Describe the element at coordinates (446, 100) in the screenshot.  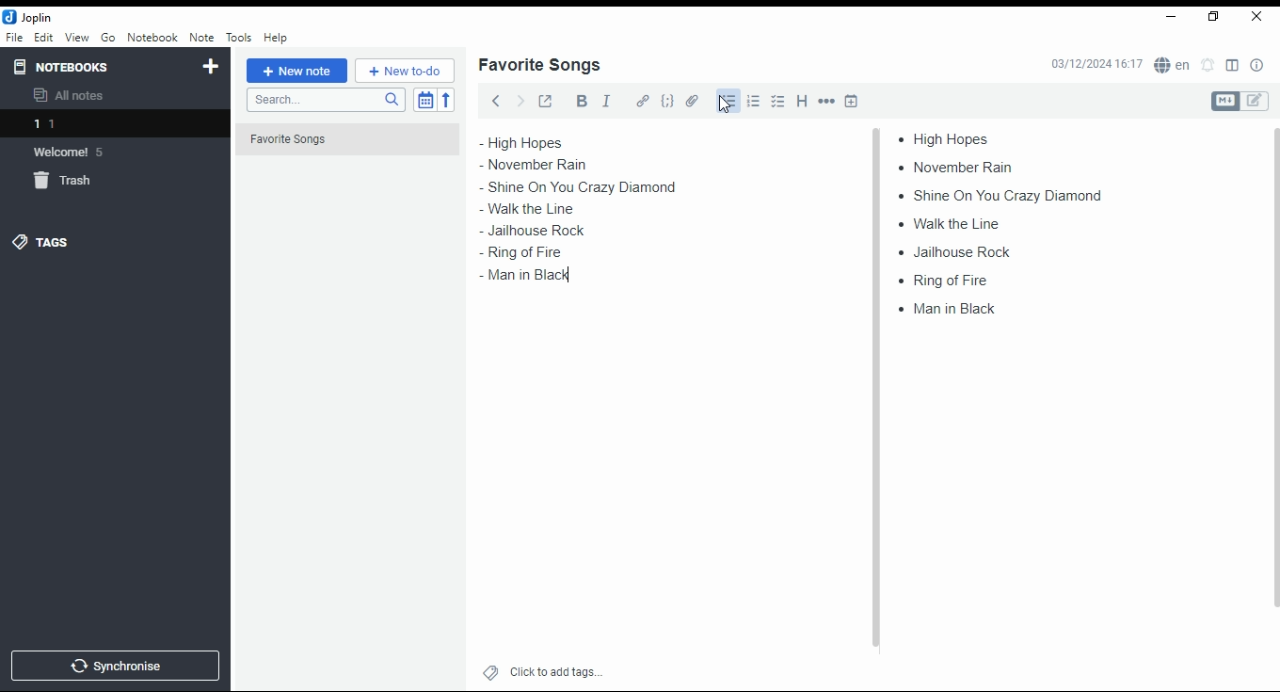
I see `reverse sort order` at that location.